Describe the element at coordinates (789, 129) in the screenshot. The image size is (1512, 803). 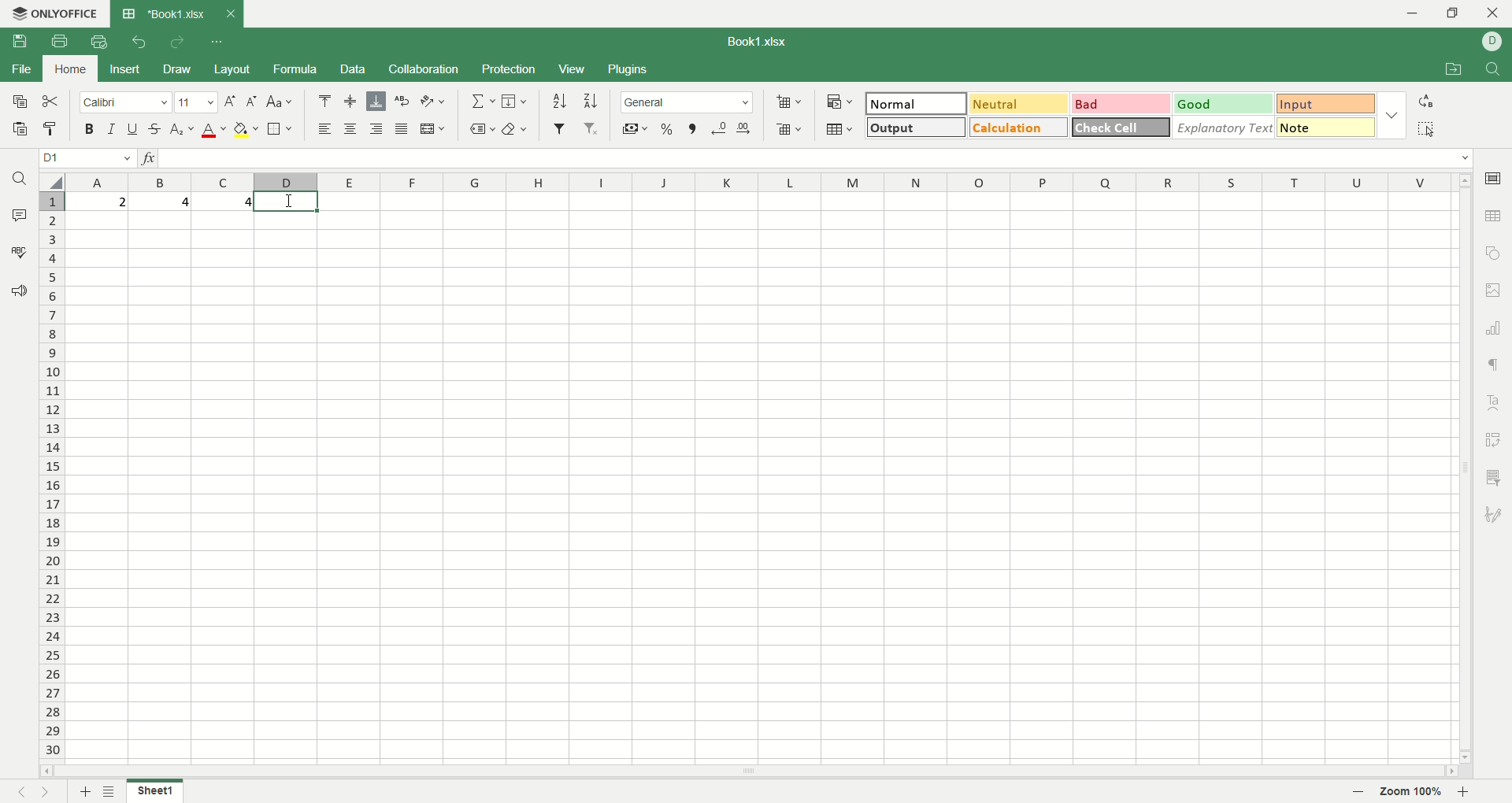
I see `delete cells` at that location.